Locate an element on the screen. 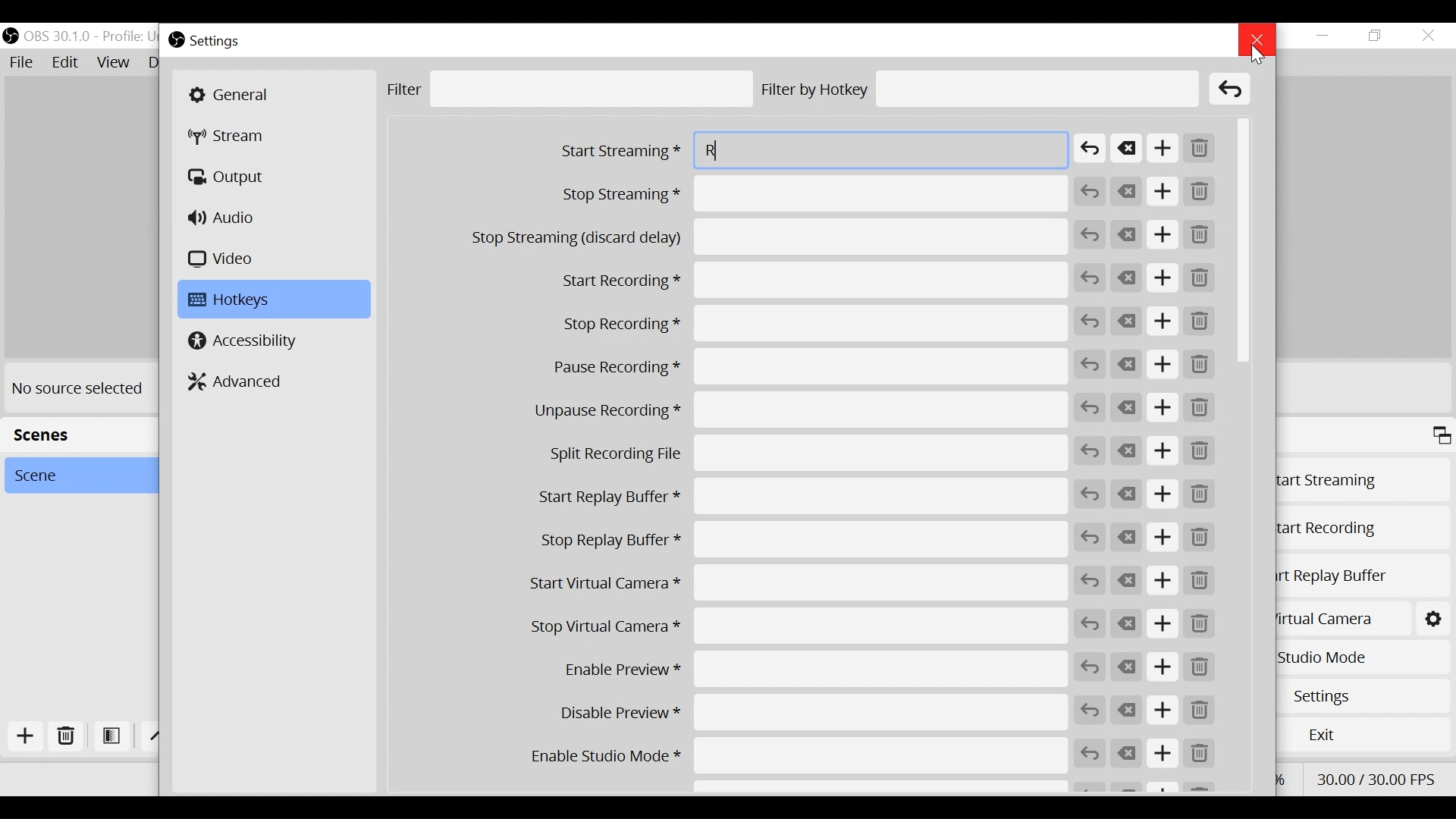 The height and width of the screenshot is (819, 1456). Clear is located at coordinates (1127, 321).